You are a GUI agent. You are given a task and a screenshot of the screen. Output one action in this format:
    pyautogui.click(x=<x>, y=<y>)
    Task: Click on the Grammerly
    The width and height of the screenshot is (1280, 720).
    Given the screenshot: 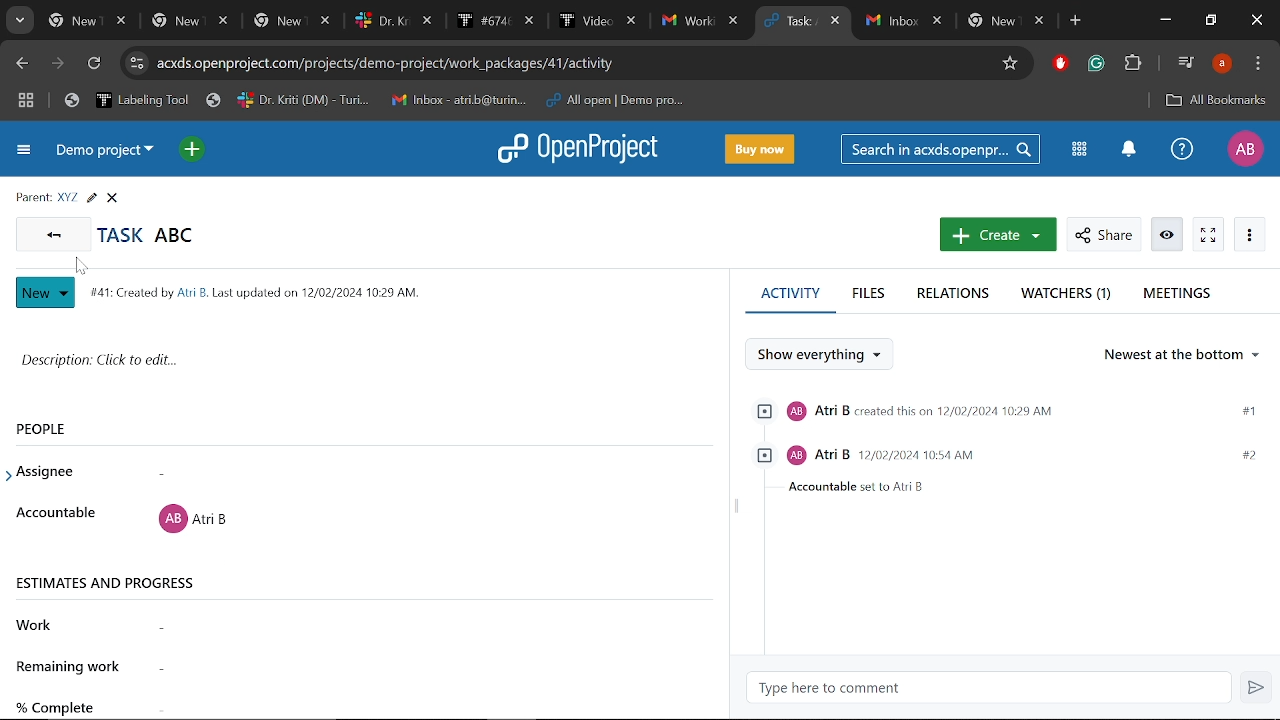 What is the action you would take?
    pyautogui.click(x=1097, y=63)
    